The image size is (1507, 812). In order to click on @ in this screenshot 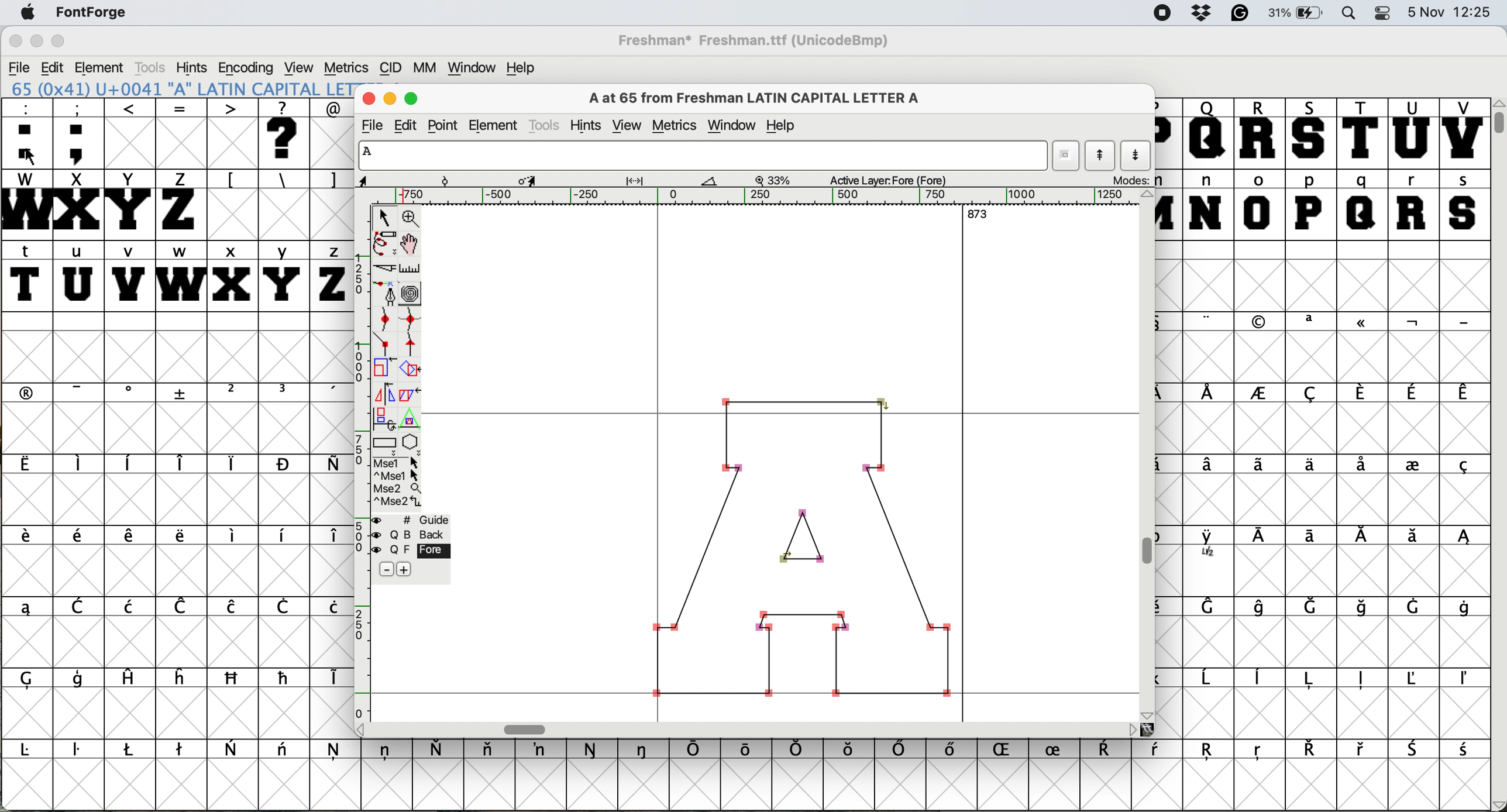, I will do `click(331, 106)`.